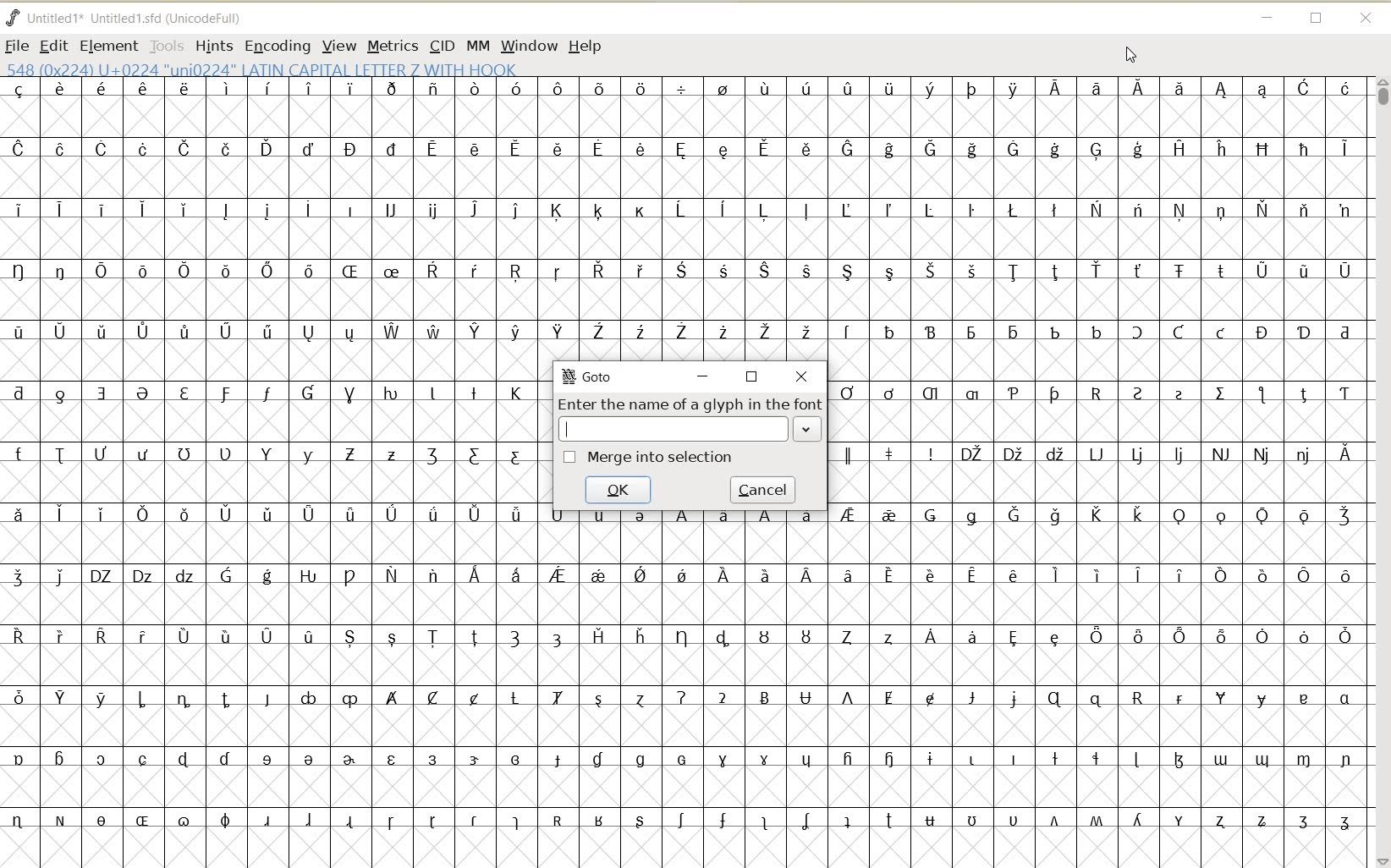  I want to click on ENCODING, so click(277, 47).